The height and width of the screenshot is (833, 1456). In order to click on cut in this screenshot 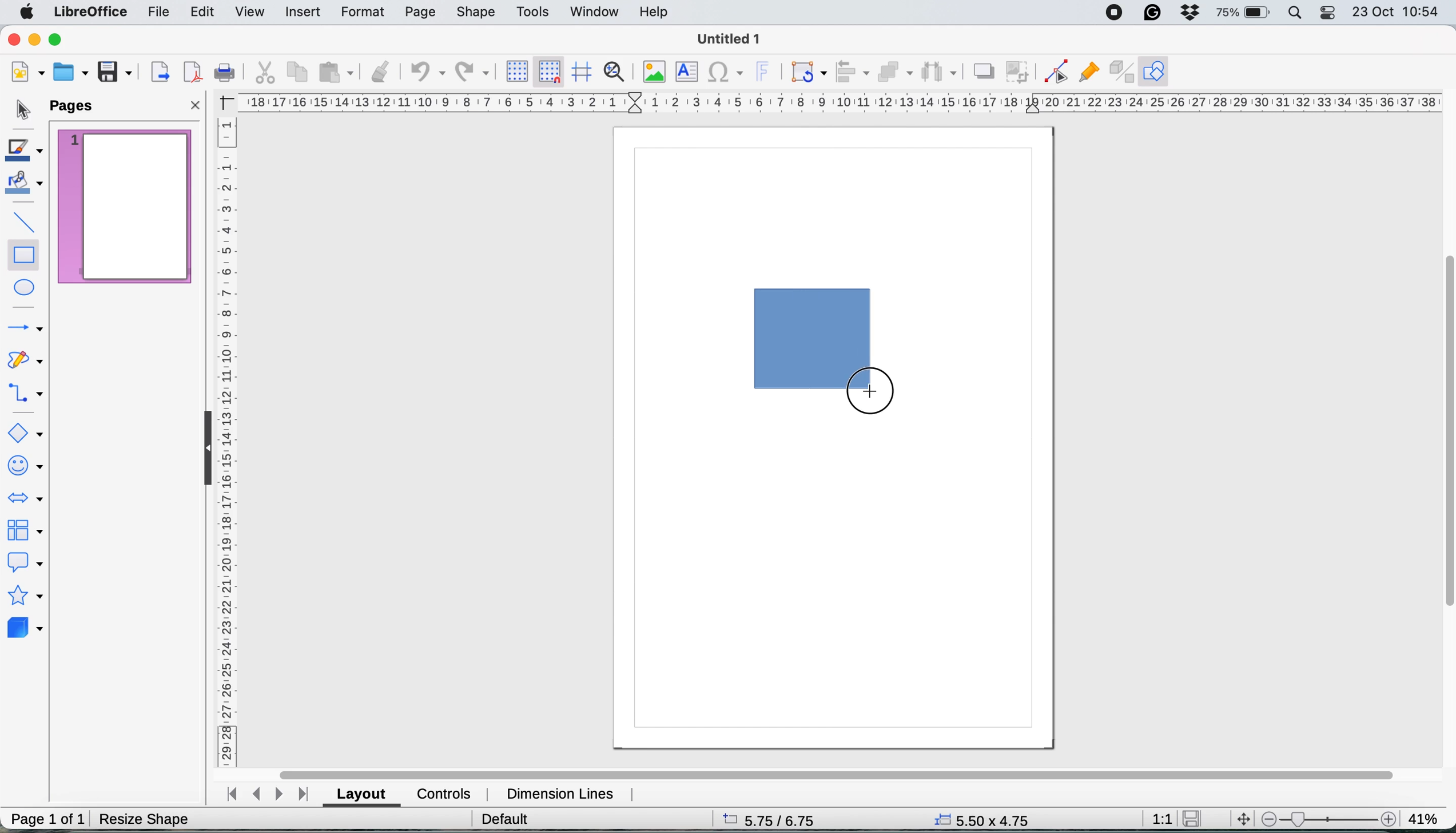, I will do `click(263, 72)`.